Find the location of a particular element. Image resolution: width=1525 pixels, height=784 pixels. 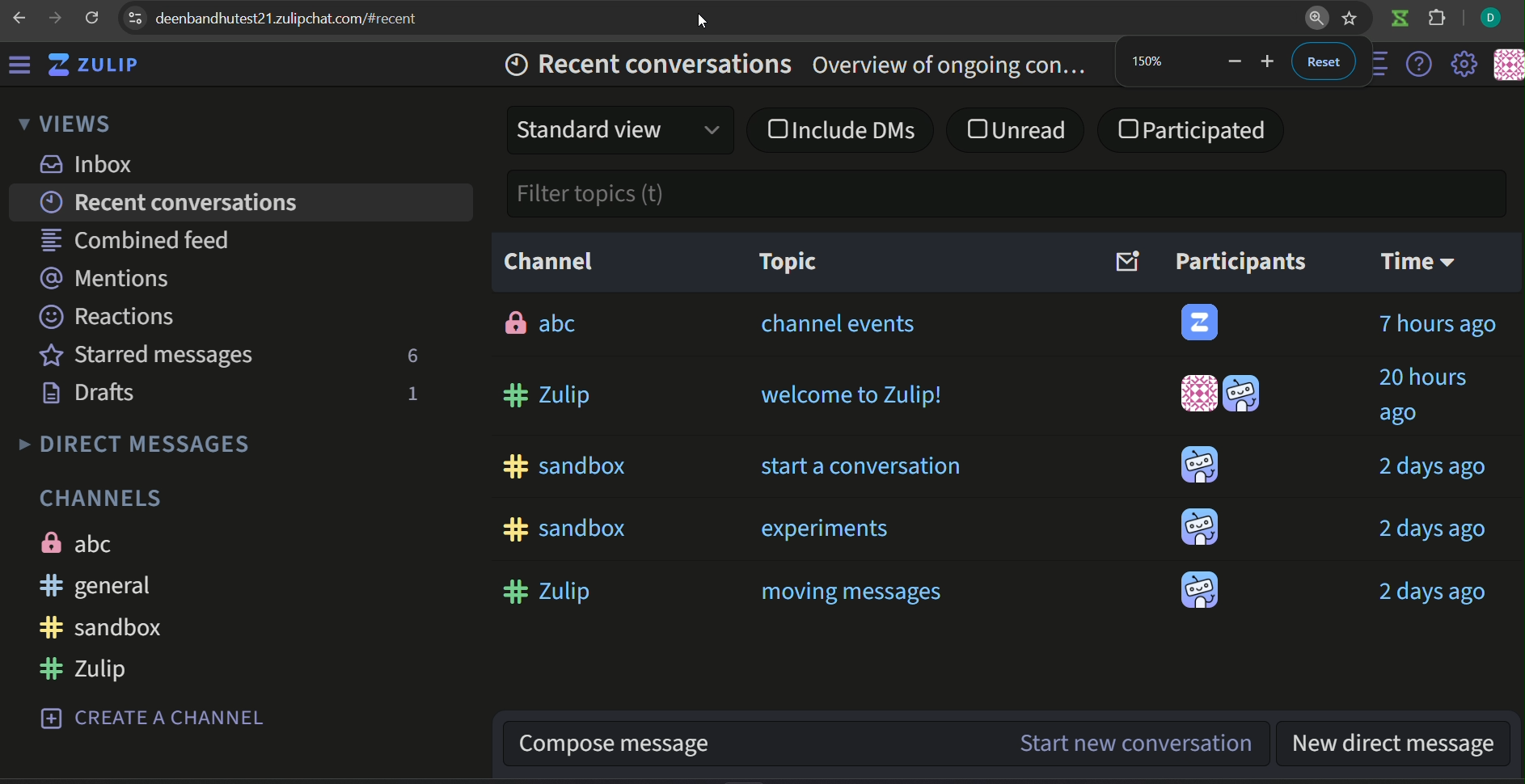

start a conversation is located at coordinates (864, 467).